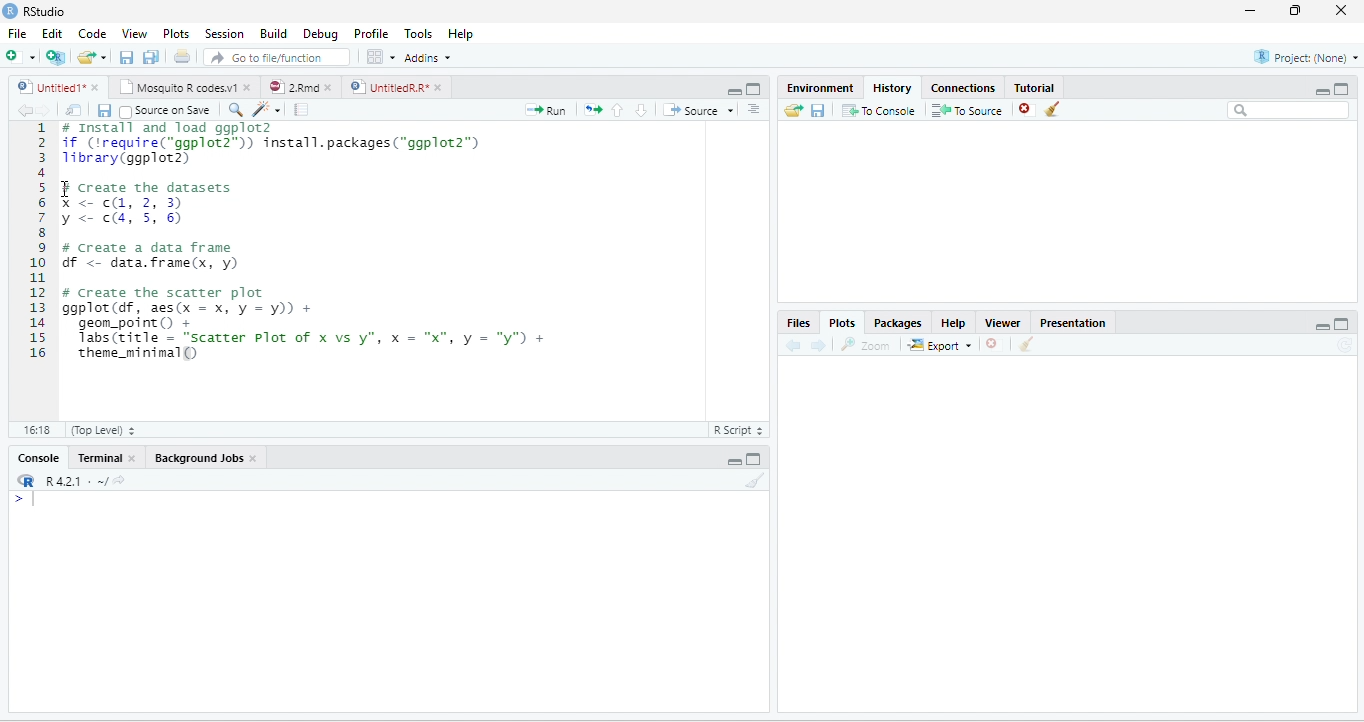 This screenshot has width=1364, height=722. Describe the element at coordinates (1027, 344) in the screenshot. I see `Clear all plots` at that location.